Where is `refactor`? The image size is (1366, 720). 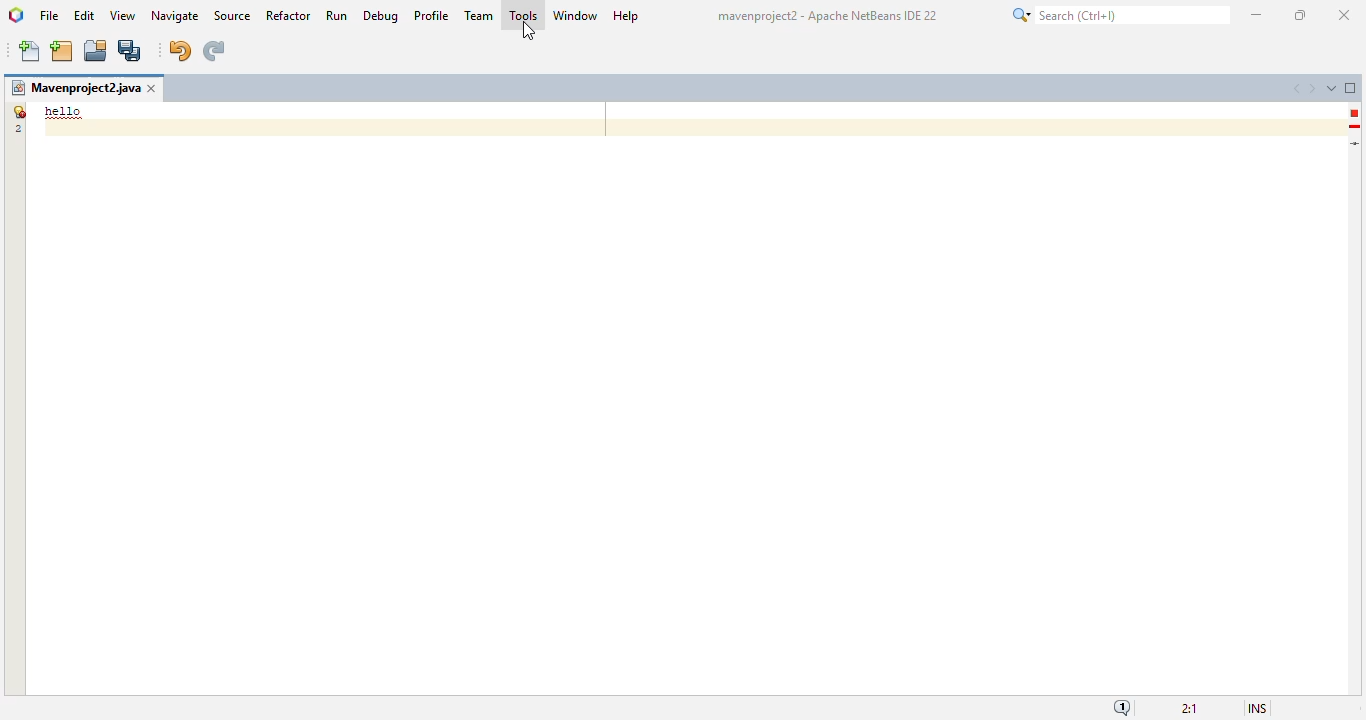 refactor is located at coordinates (289, 15).